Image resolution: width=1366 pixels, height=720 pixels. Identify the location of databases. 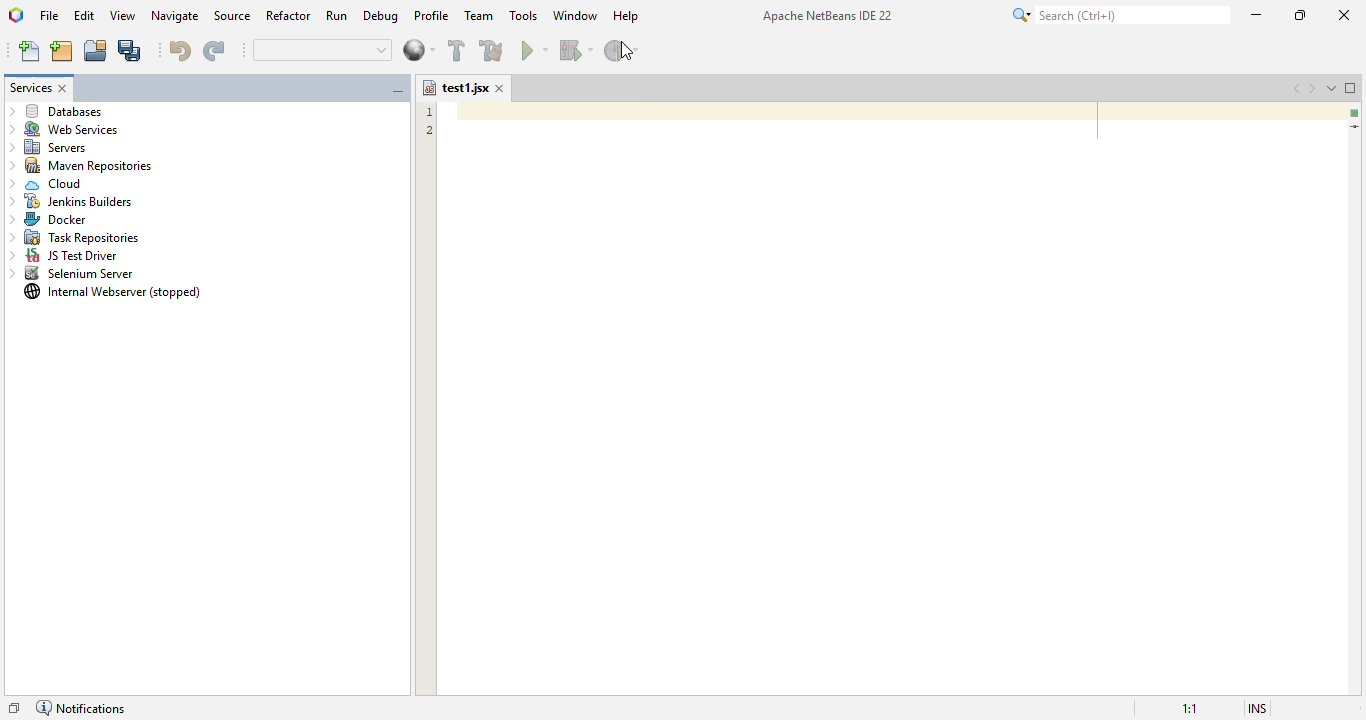
(57, 110).